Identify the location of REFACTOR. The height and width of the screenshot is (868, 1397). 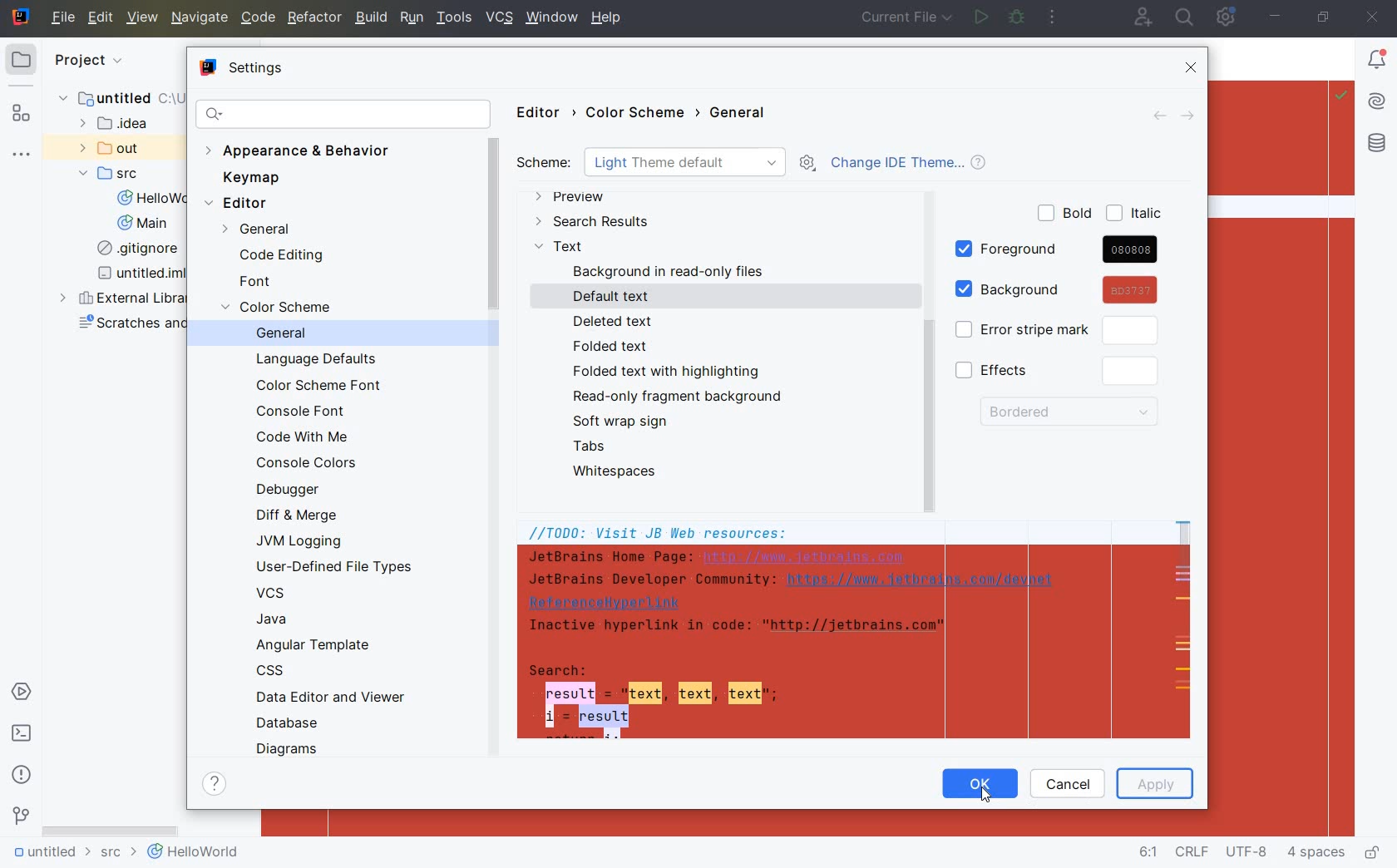
(313, 20).